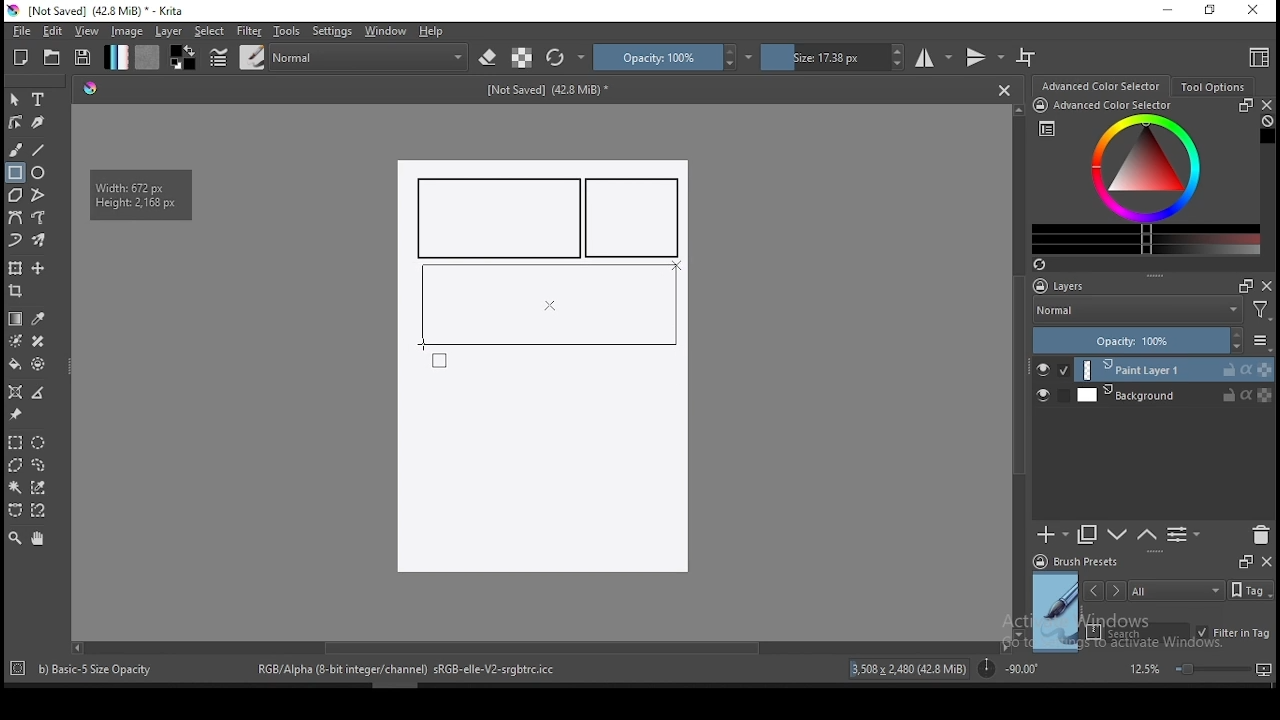 Image resolution: width=1280 pixels, height=720 pixels. Describe the element at coordinates (83, 58) in the screenshot. I see `save` at that location.